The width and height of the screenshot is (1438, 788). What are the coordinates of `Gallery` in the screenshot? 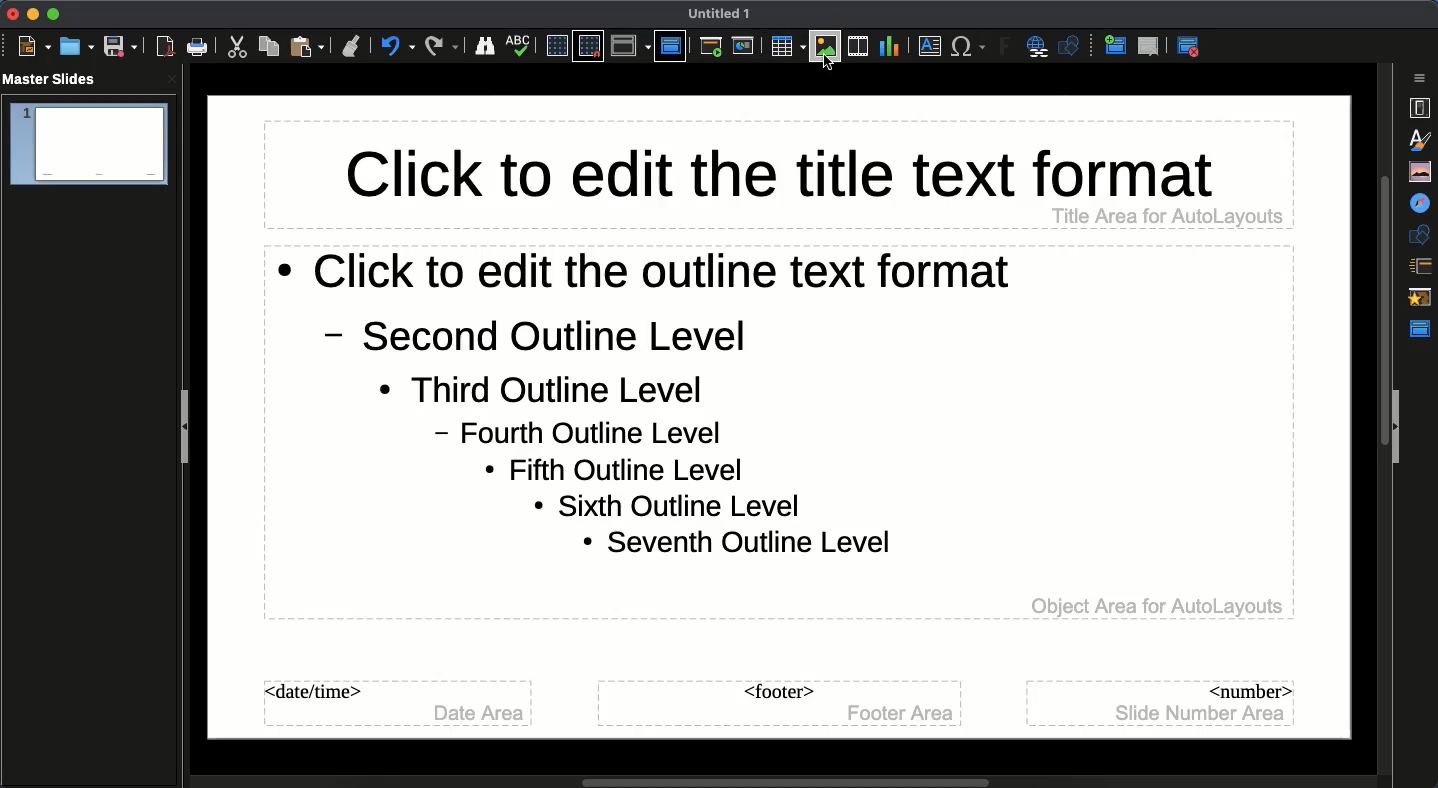 It's located at (1422, 171).